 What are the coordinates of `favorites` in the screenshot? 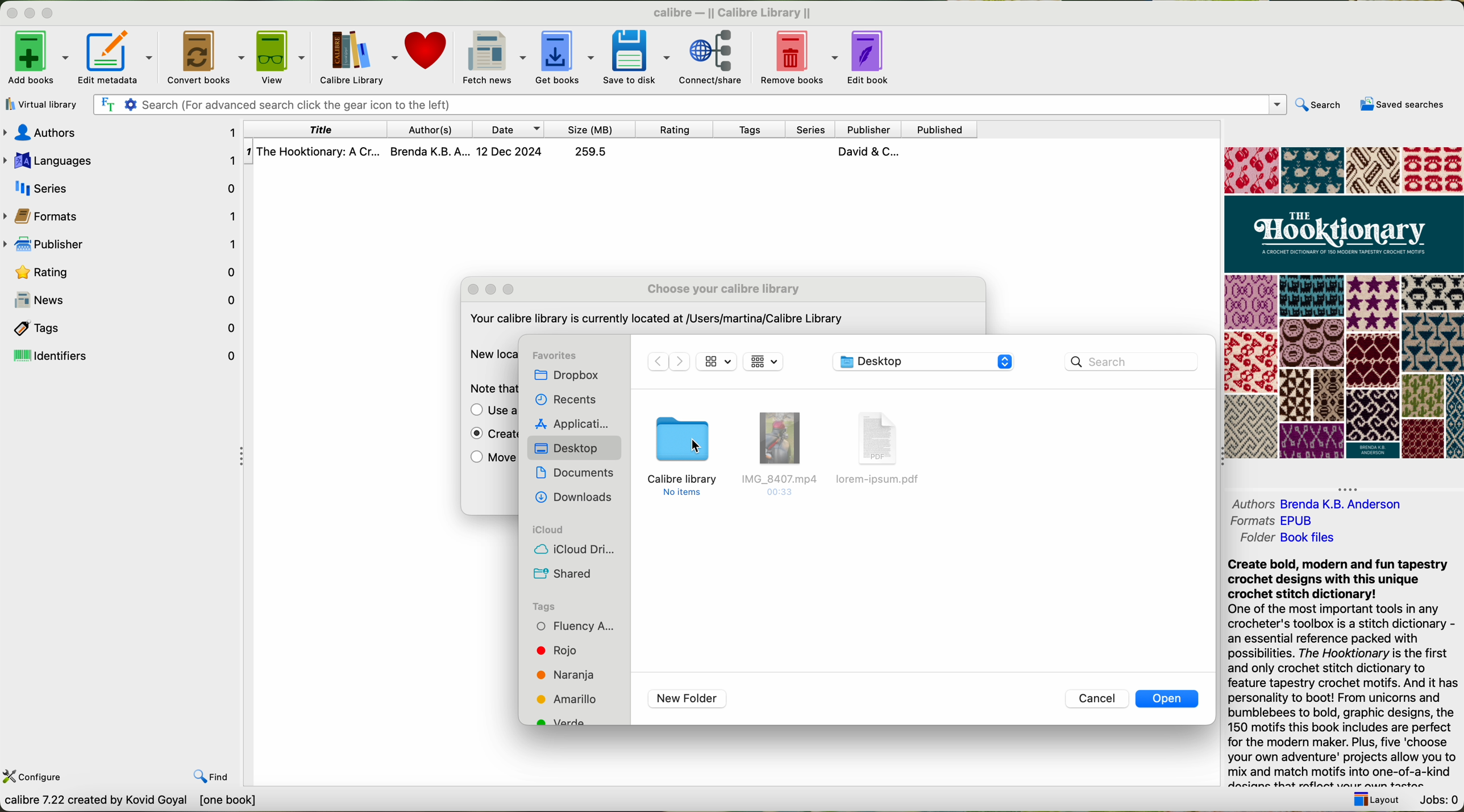 It's located at (554, 355).